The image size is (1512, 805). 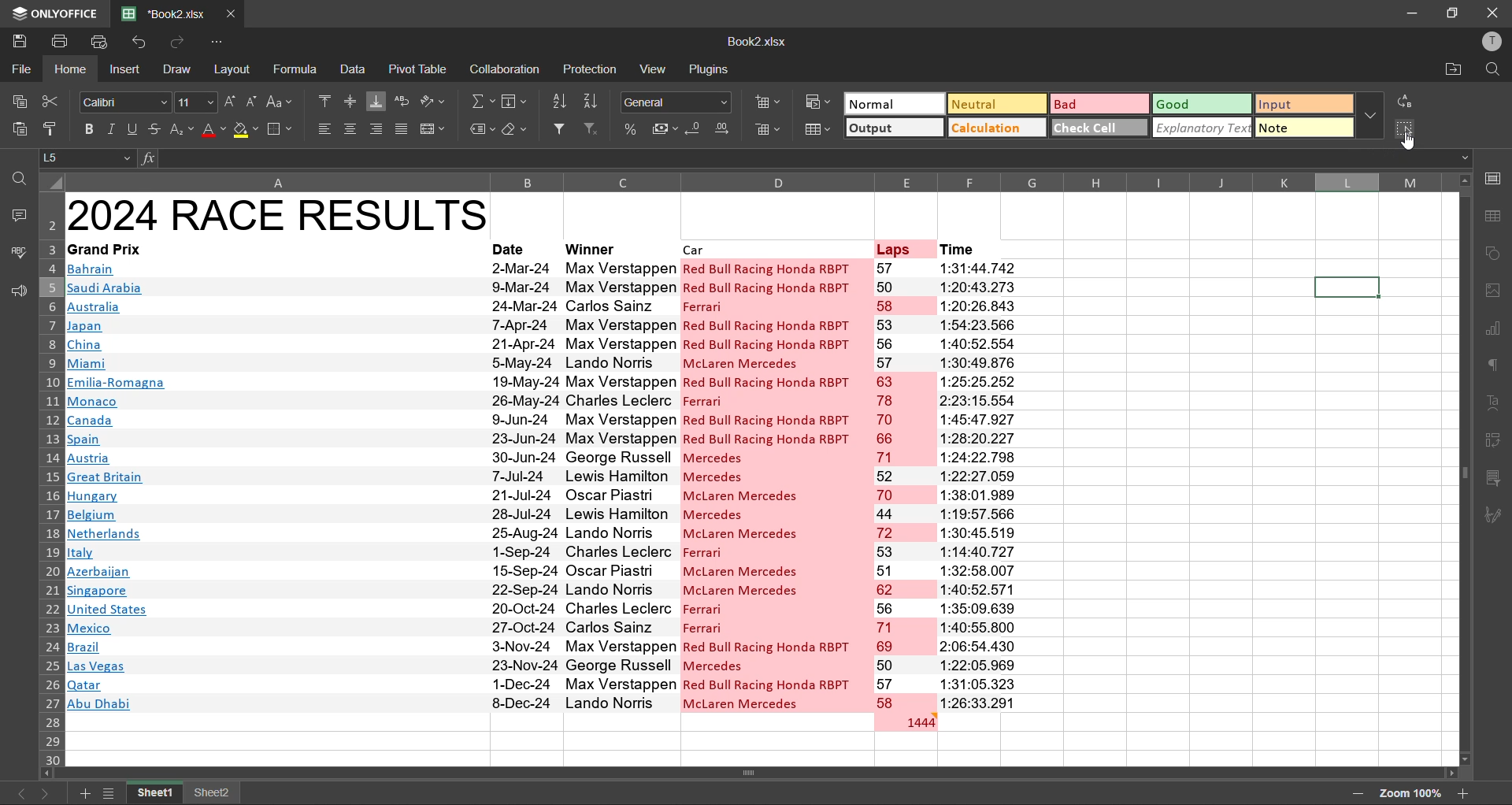 What do you see at coordinates (680, 103) in the screenshot?
I see `number font` at bounding box center [680, 103].